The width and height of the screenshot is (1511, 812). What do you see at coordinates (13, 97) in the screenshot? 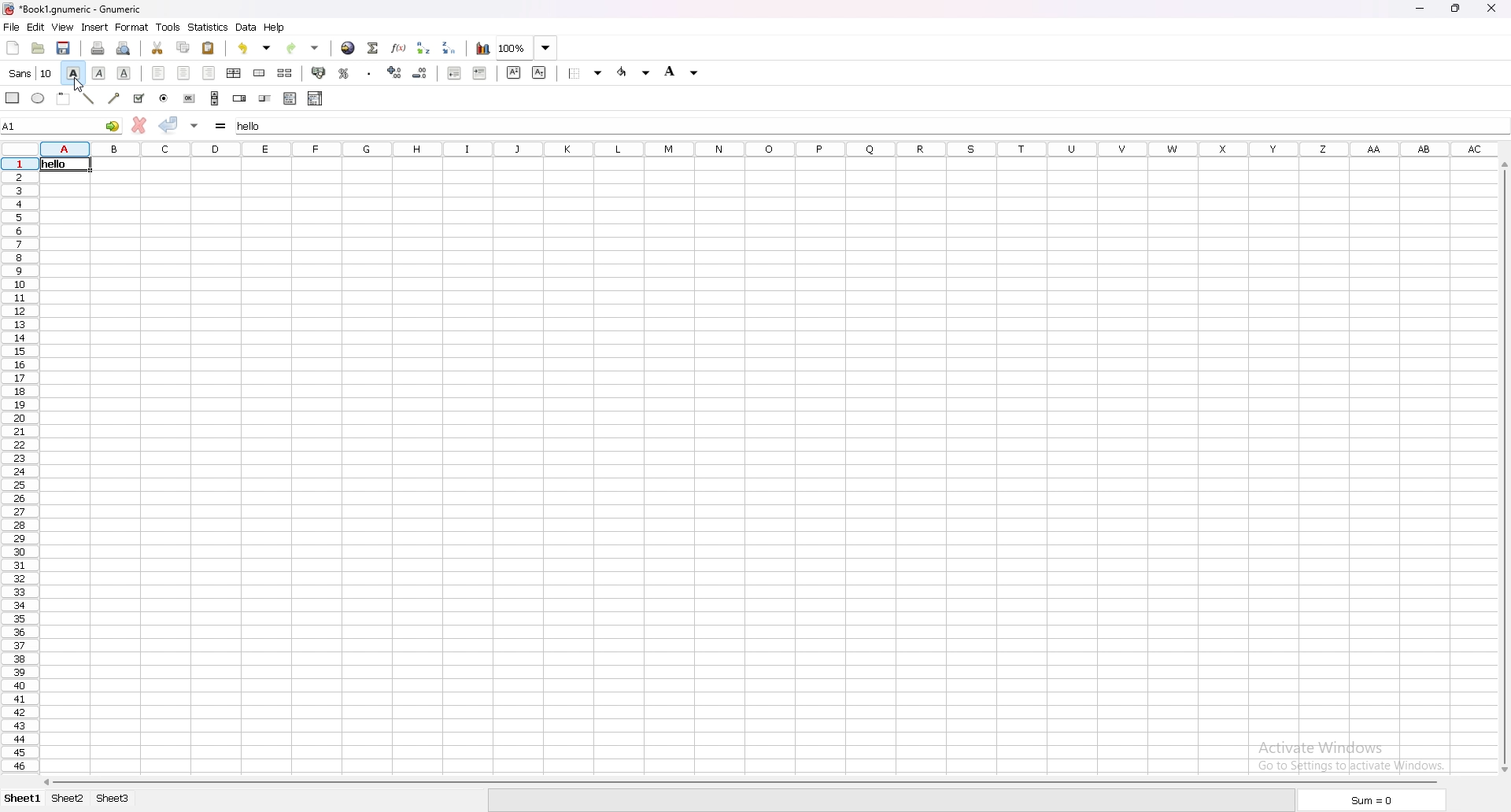
I see `rectangle` at bounding box center [13, 97].